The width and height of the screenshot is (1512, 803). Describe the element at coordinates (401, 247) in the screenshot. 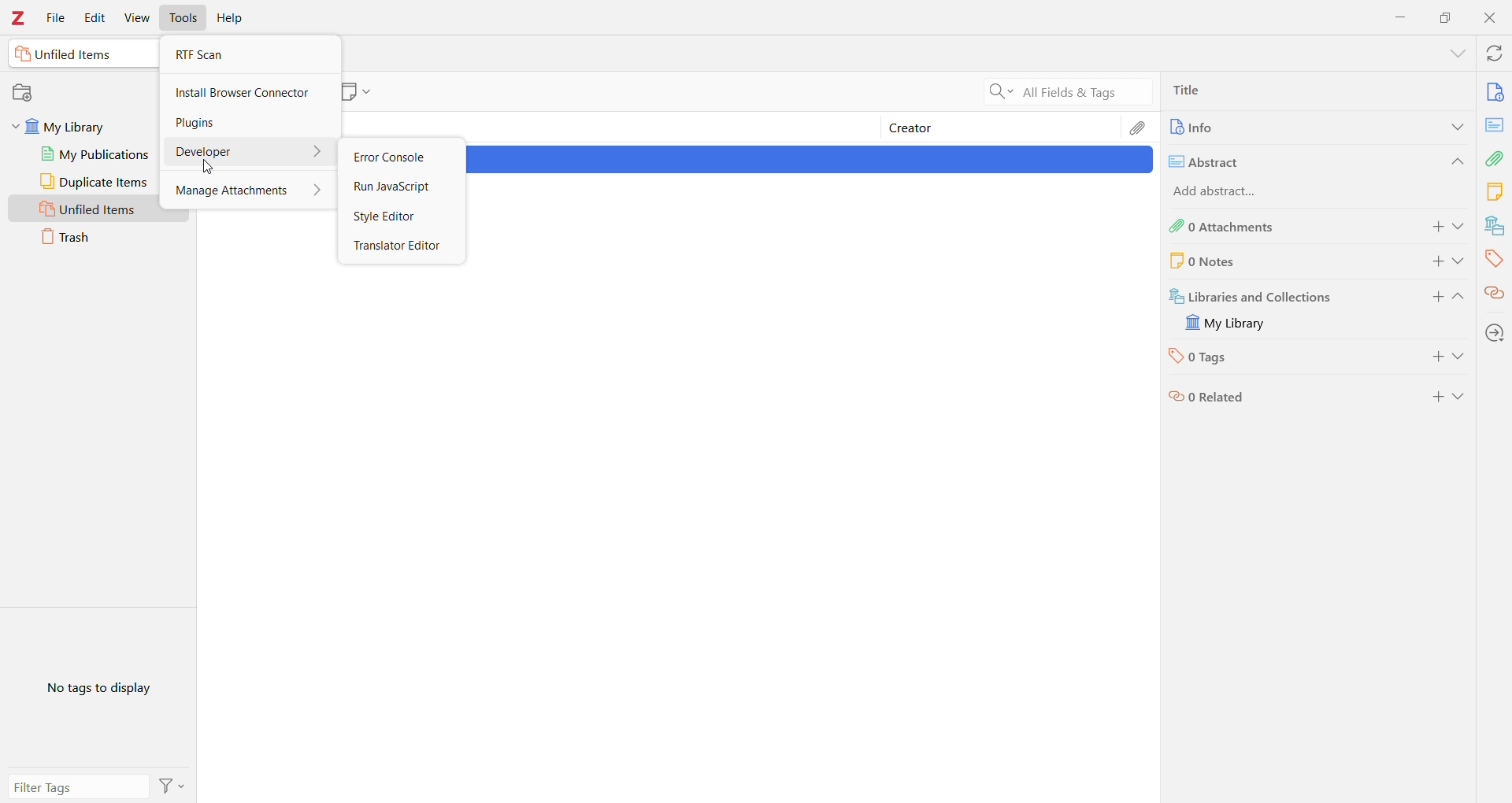

I see `Translator Editor` at that location.